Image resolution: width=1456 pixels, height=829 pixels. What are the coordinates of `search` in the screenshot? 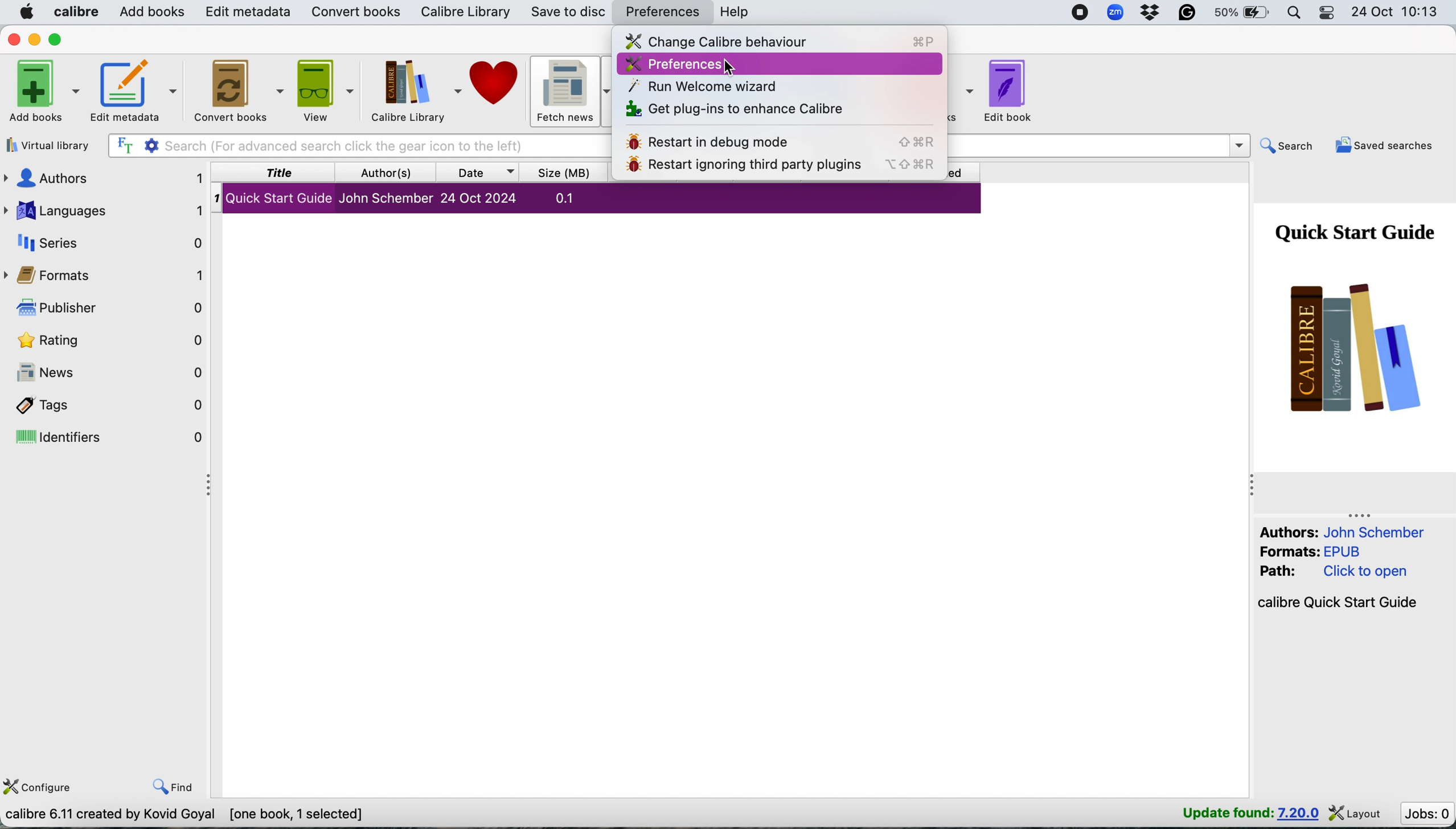 It's located at (1286, 146).